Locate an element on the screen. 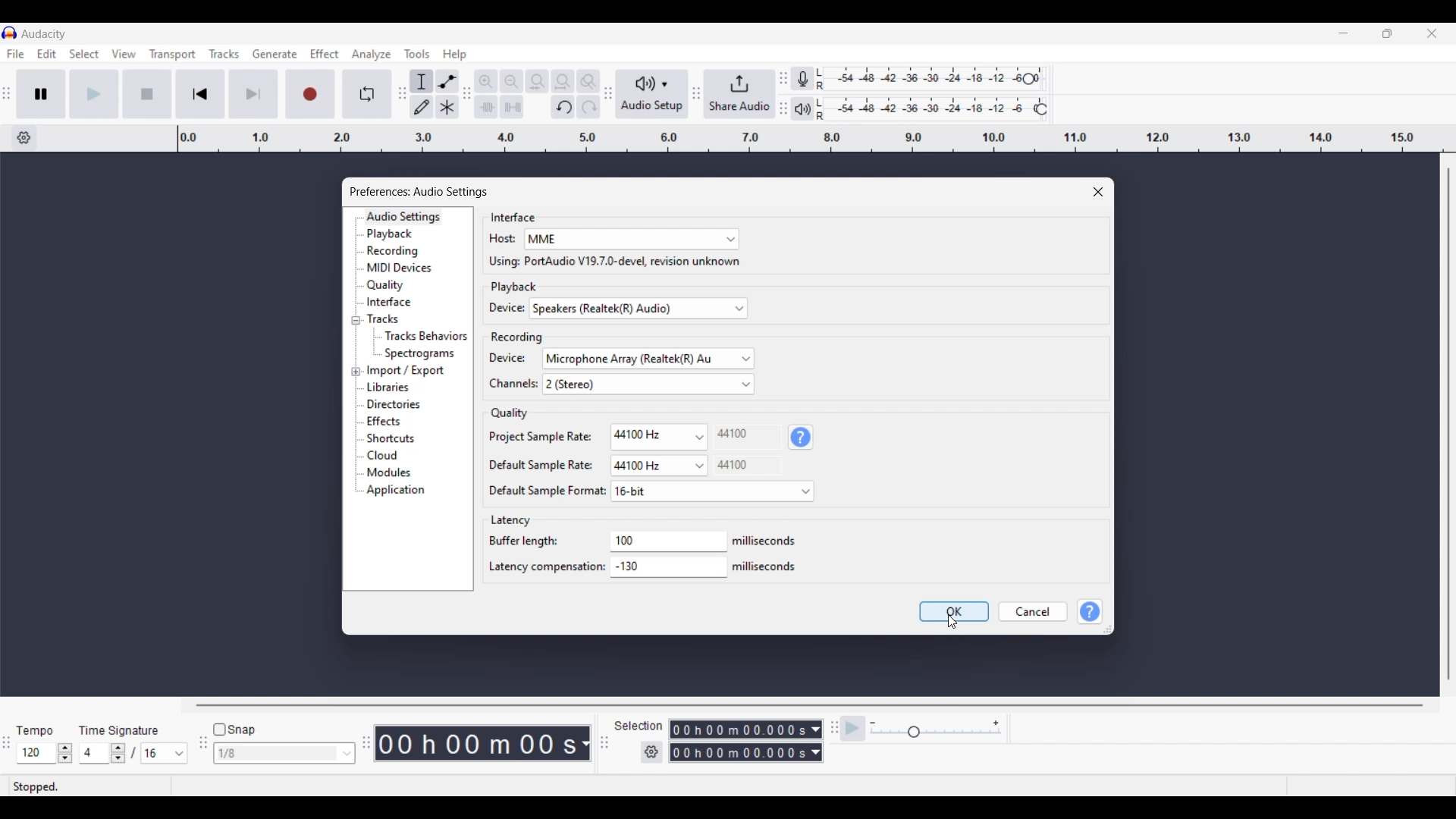  Software name is located at coordinates (44, 33).